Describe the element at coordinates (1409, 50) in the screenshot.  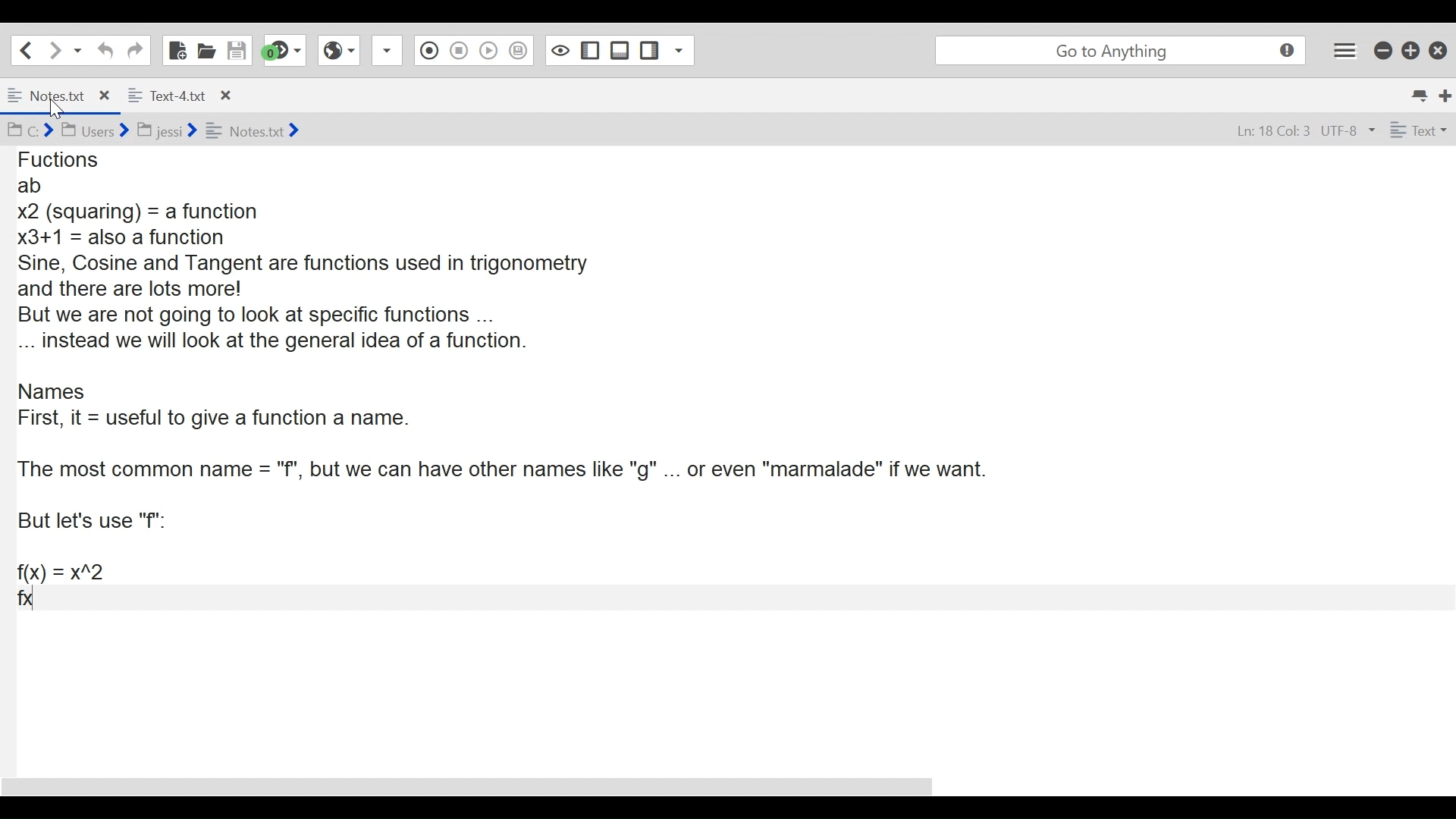
I see `Restore` at that location.